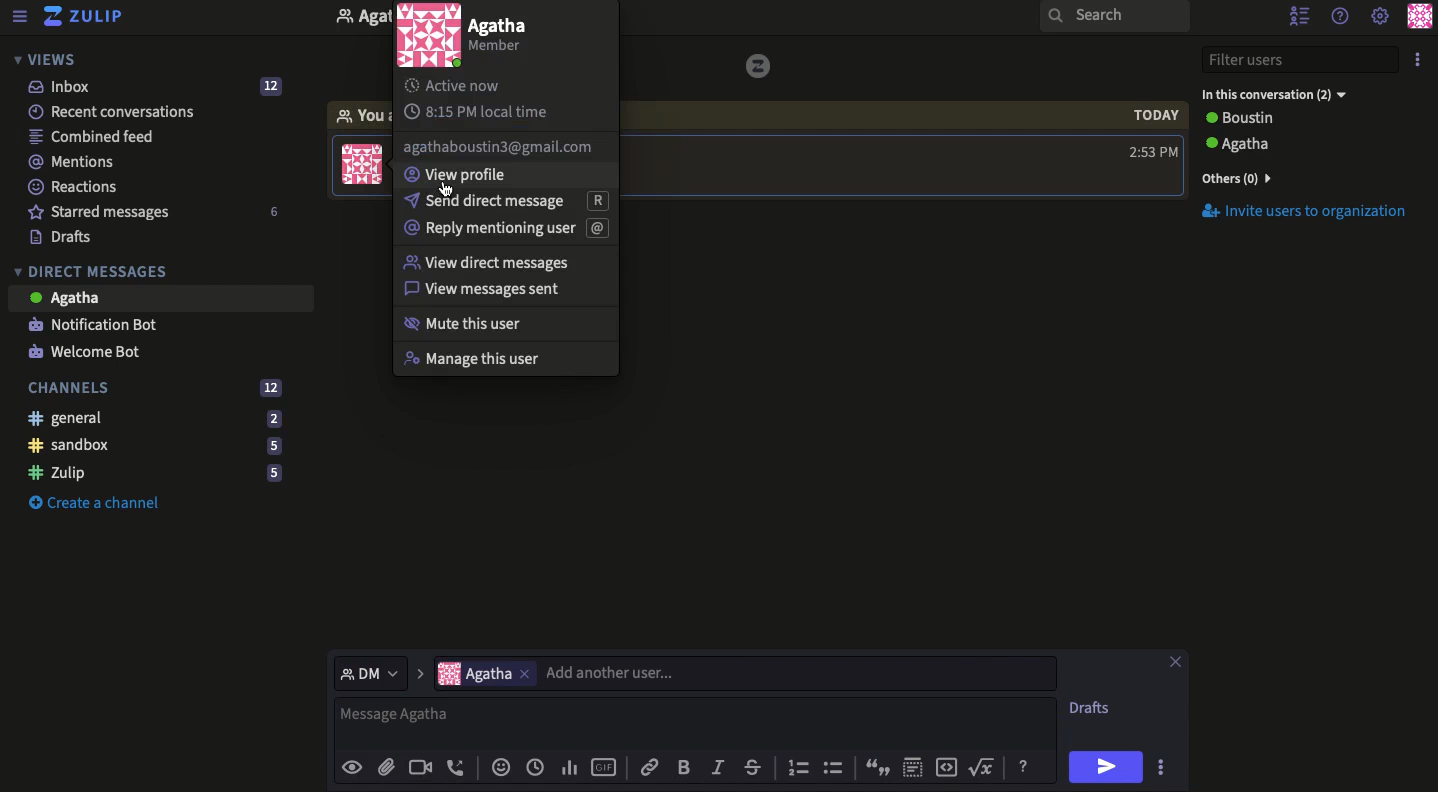  I want to click on Profile, so click(1419, 18).